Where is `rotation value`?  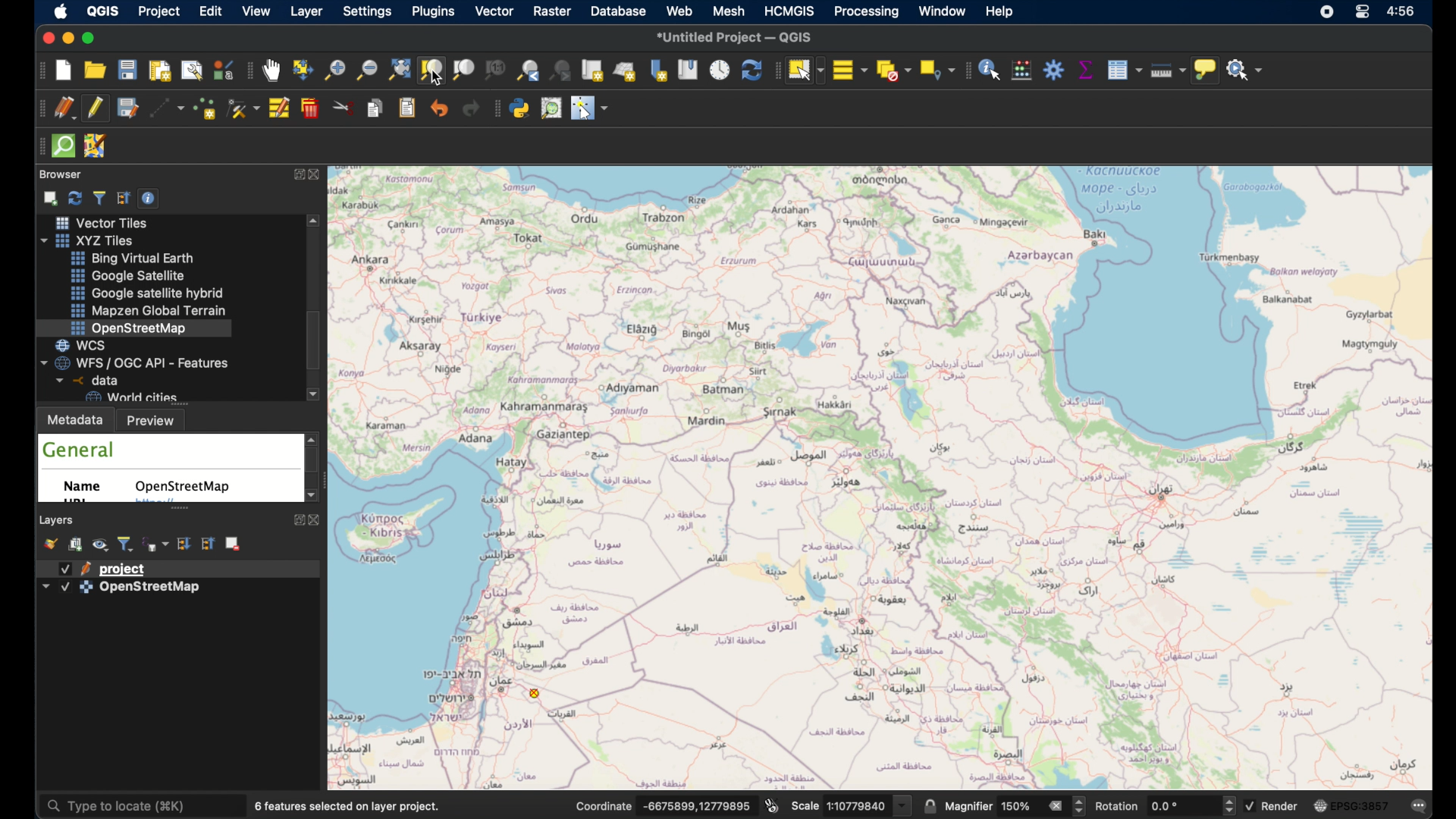
rotation value is located at coordinates (1168, 805).